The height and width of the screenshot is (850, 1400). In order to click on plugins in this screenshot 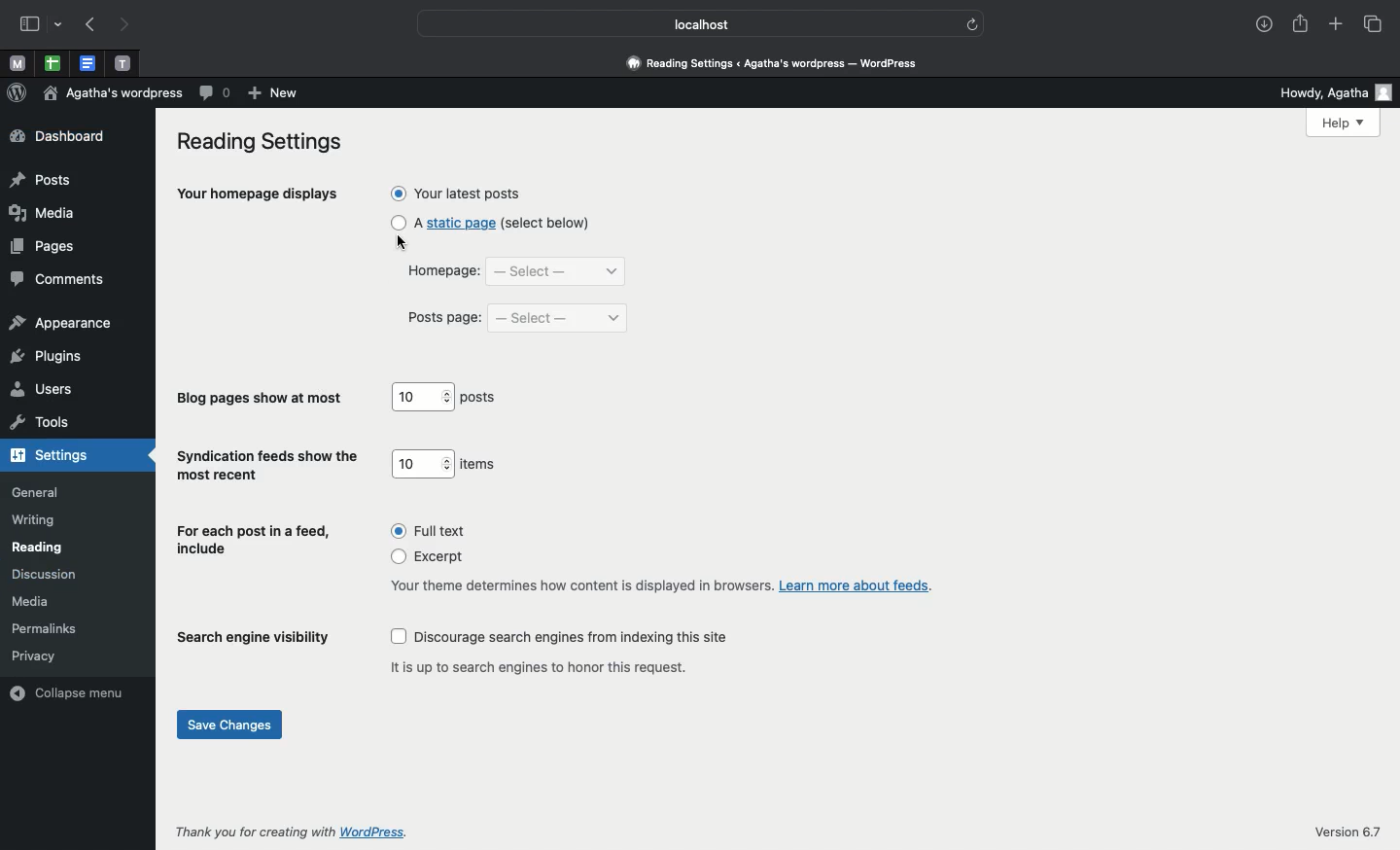, I will do `click(46, 355)`.